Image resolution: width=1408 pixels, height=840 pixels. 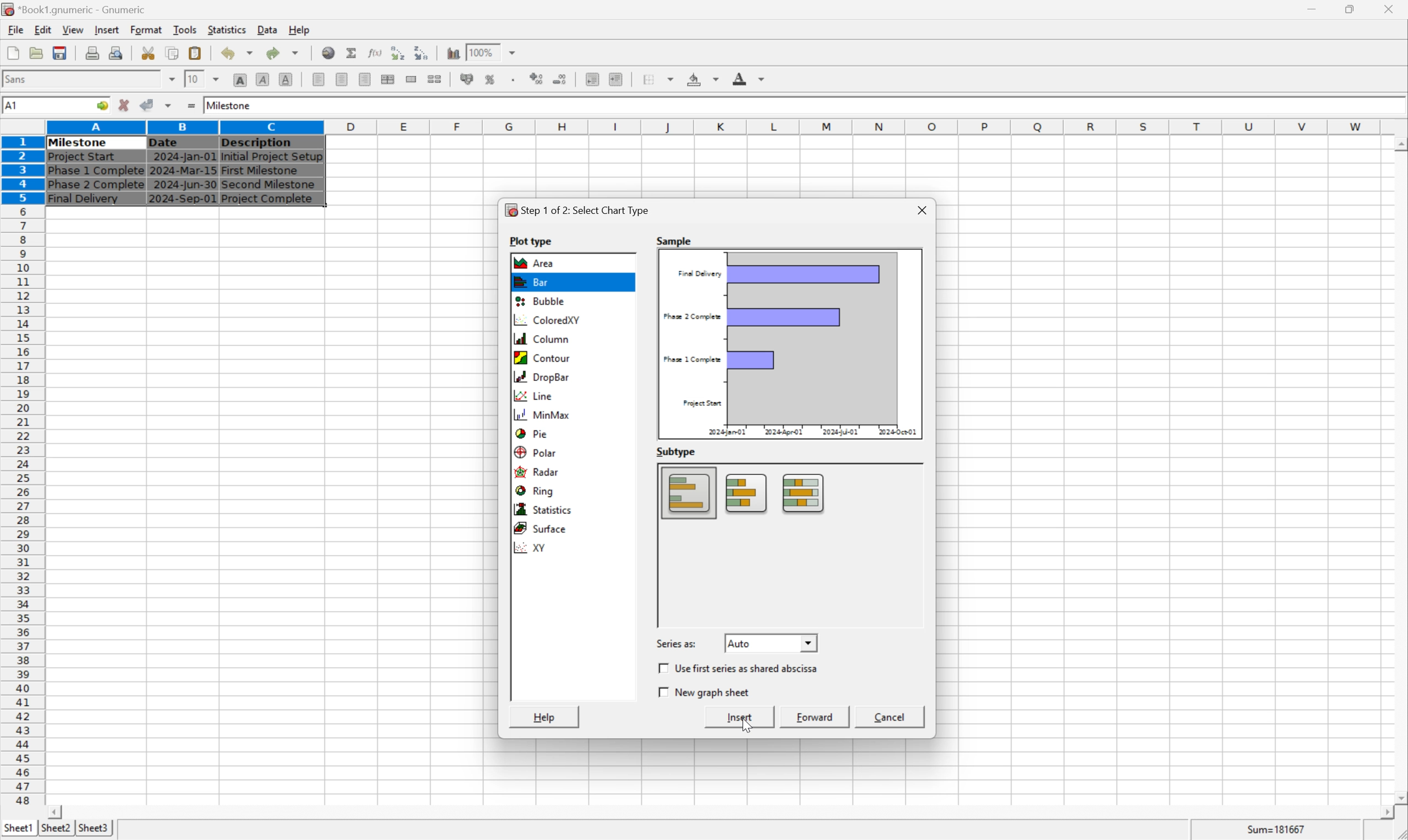 I want to click on bold, so click(x=239, y=80).